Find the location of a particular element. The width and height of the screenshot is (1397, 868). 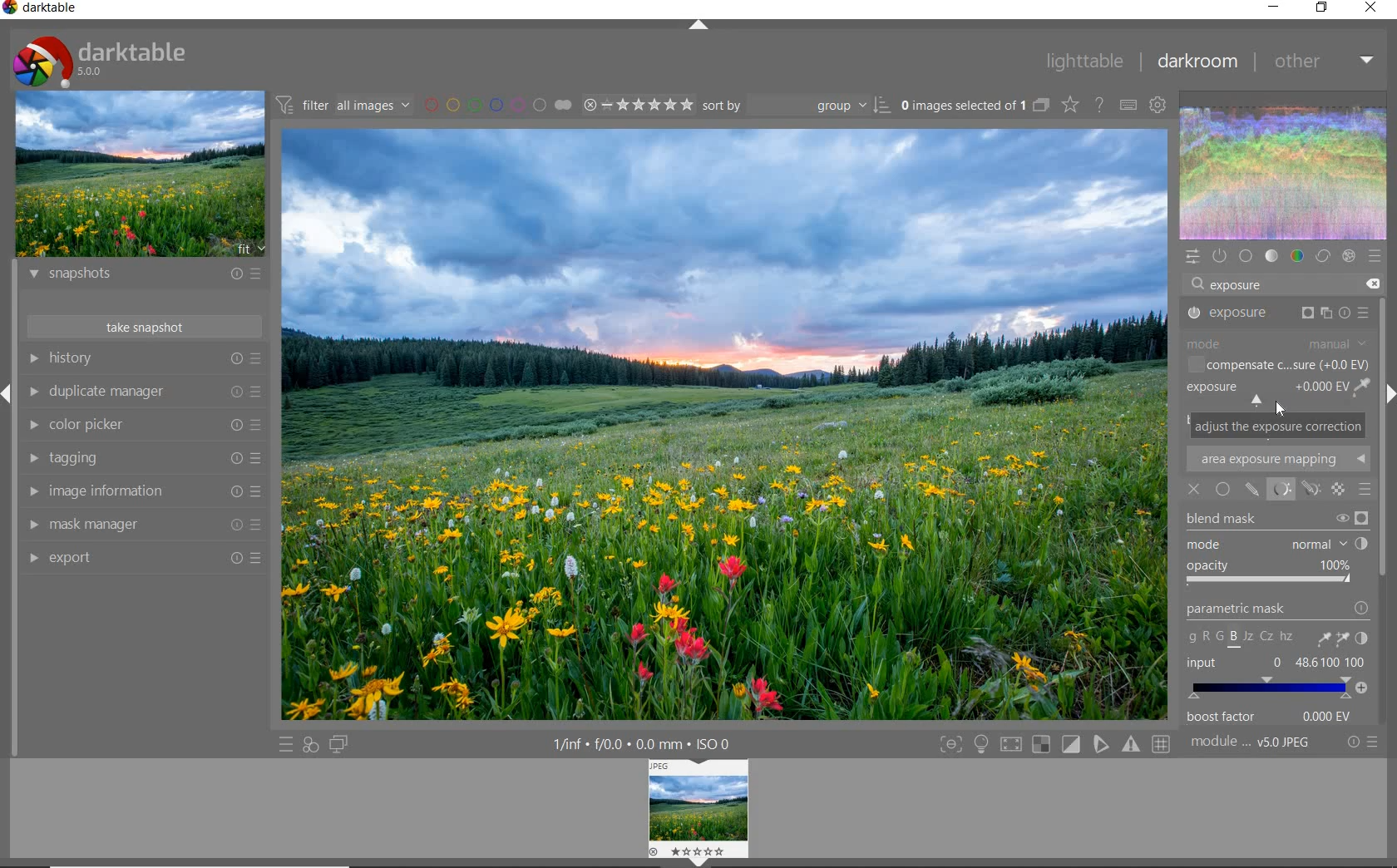

take snapshot is located at coordinates (146, 327).